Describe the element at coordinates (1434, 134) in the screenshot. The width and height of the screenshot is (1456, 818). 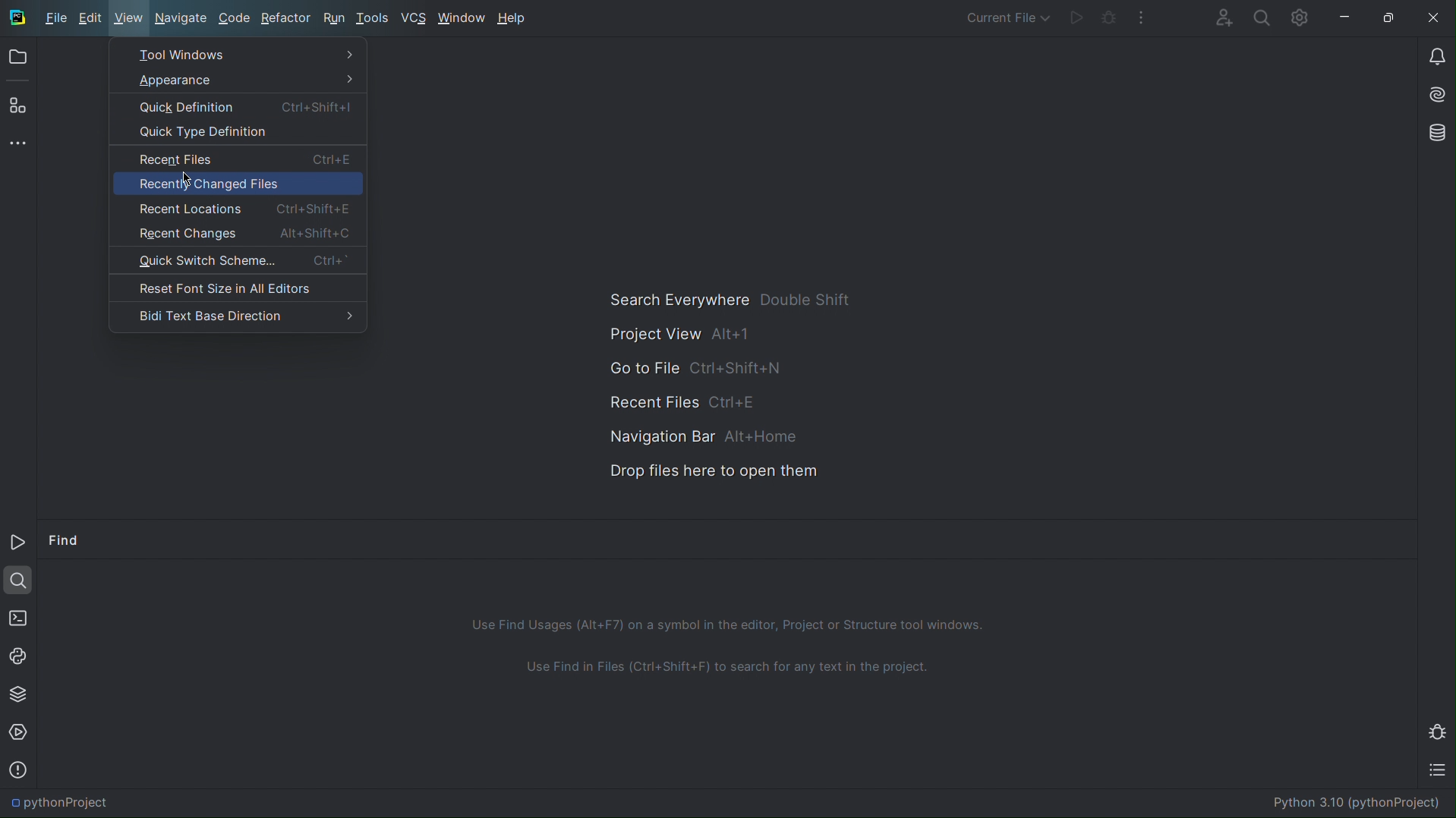
I see `Databases` at that location.